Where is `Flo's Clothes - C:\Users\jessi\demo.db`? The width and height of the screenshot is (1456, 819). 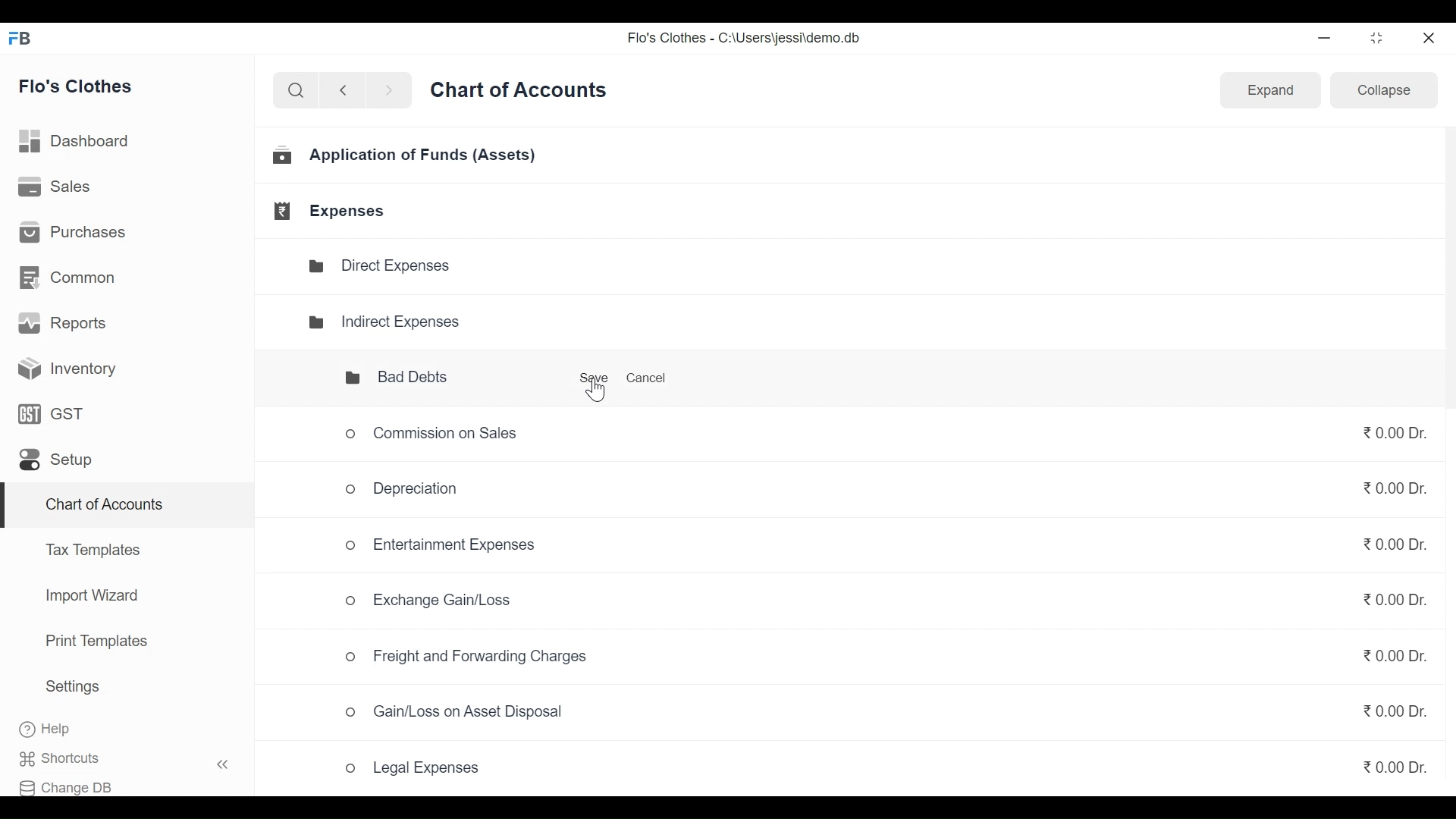 Flo's Clothes - C:\Users\jessi\demo.db is located at coordinates (746, 41).